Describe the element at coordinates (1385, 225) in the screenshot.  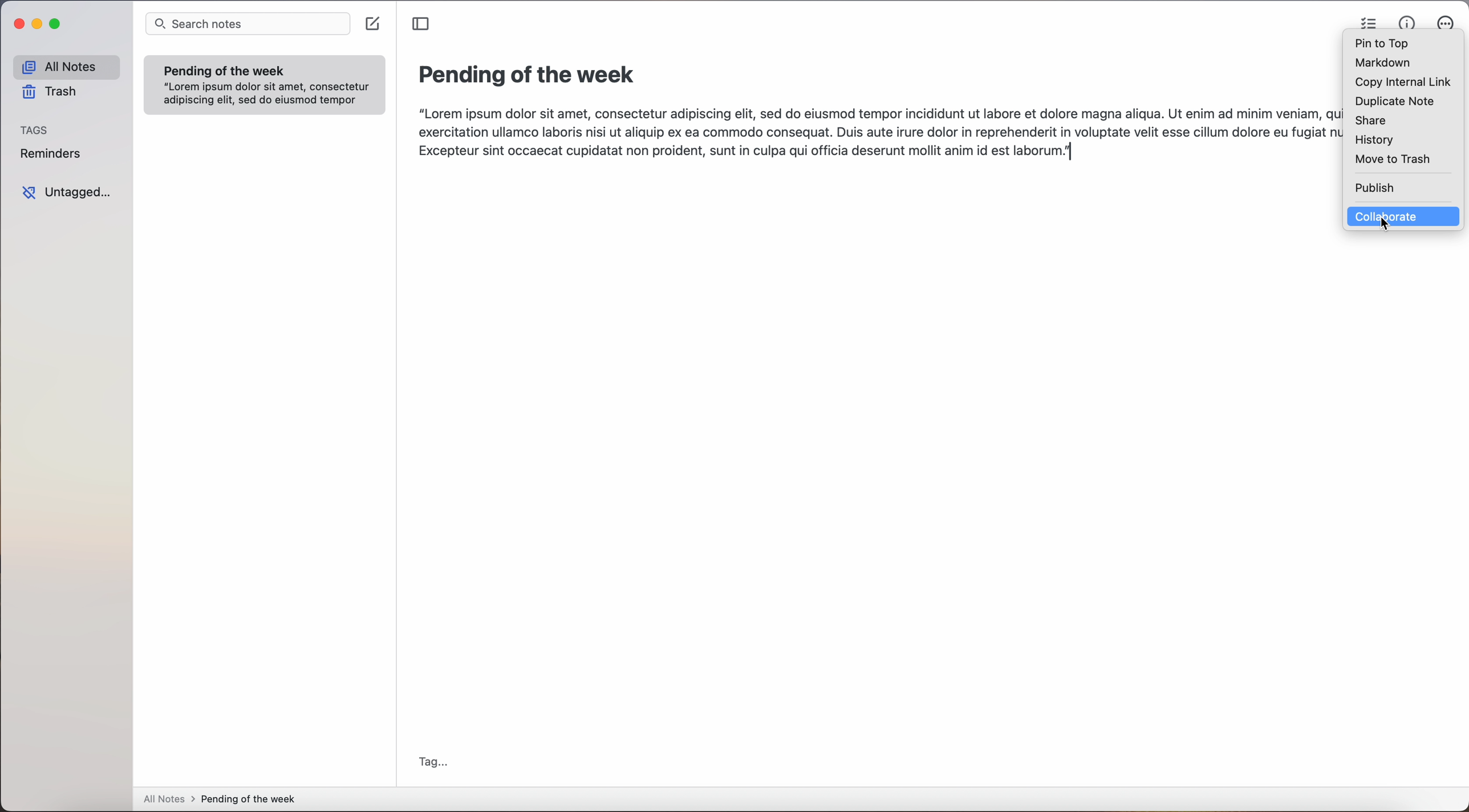
I see `cursor` at that location.